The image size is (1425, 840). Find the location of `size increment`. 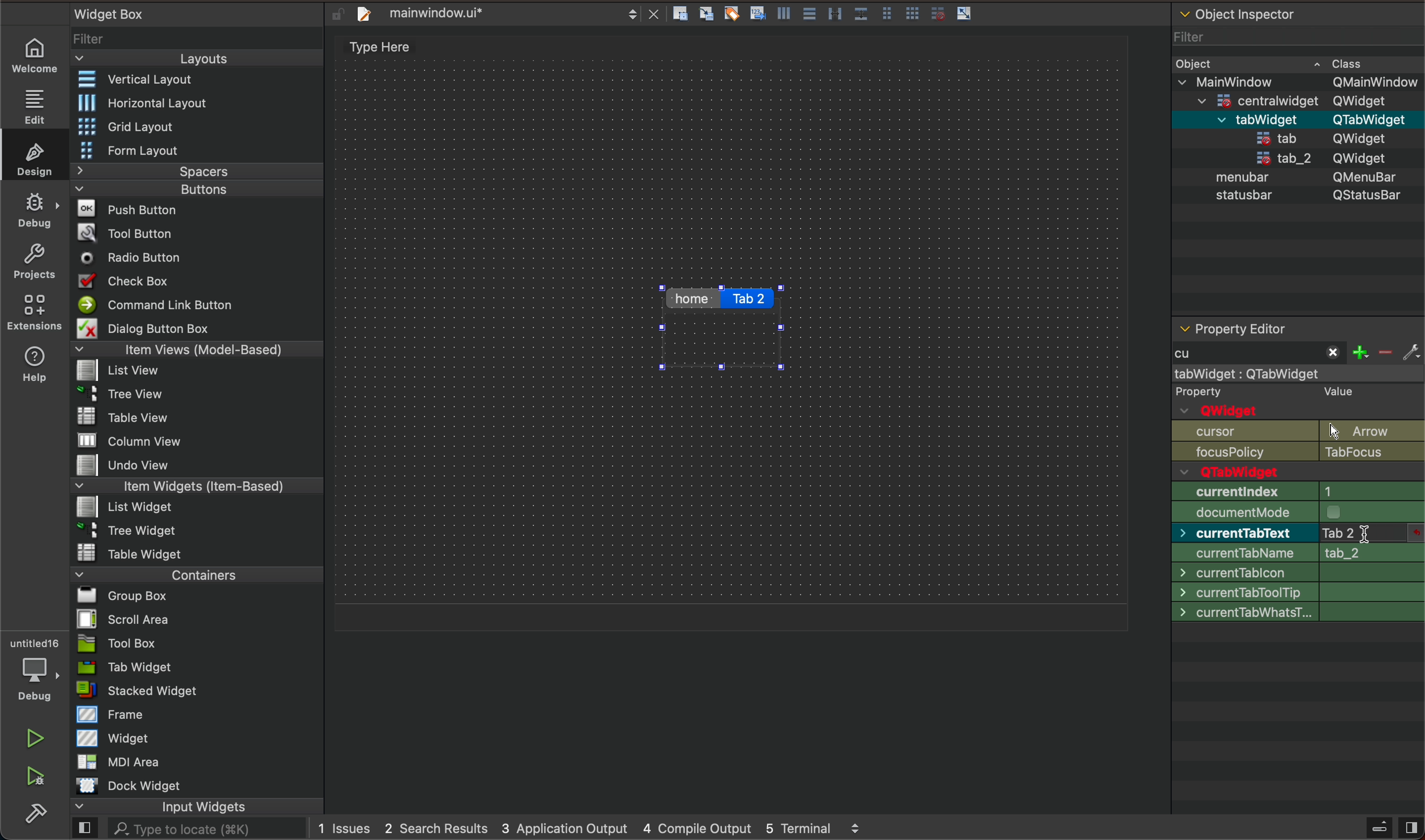

size increment is located at coordinates (1298, 571).